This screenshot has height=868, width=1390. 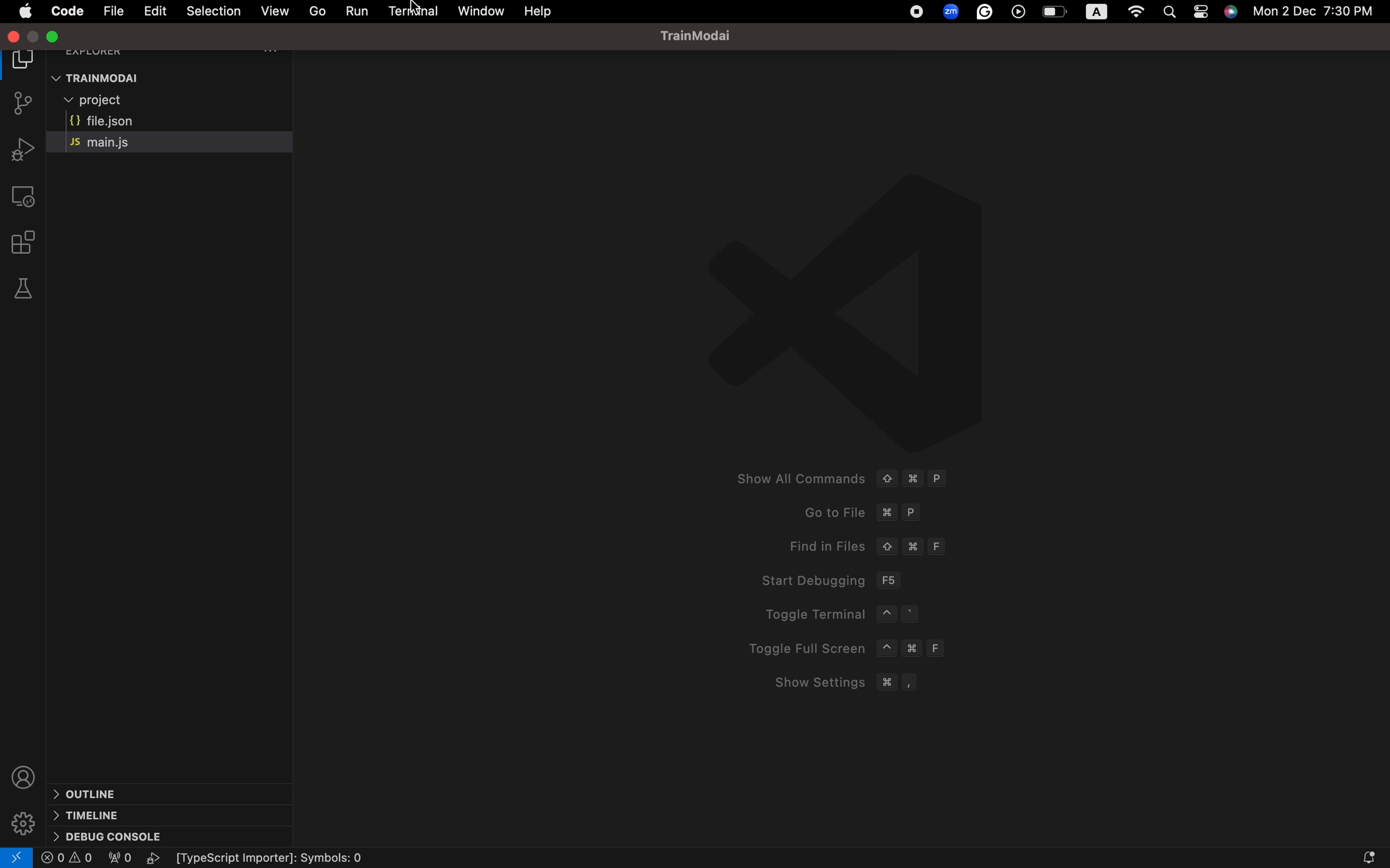 What do you see at coordinates (213, 10) in the screenshot?
I see `selection` at bounding box center [213, 10].